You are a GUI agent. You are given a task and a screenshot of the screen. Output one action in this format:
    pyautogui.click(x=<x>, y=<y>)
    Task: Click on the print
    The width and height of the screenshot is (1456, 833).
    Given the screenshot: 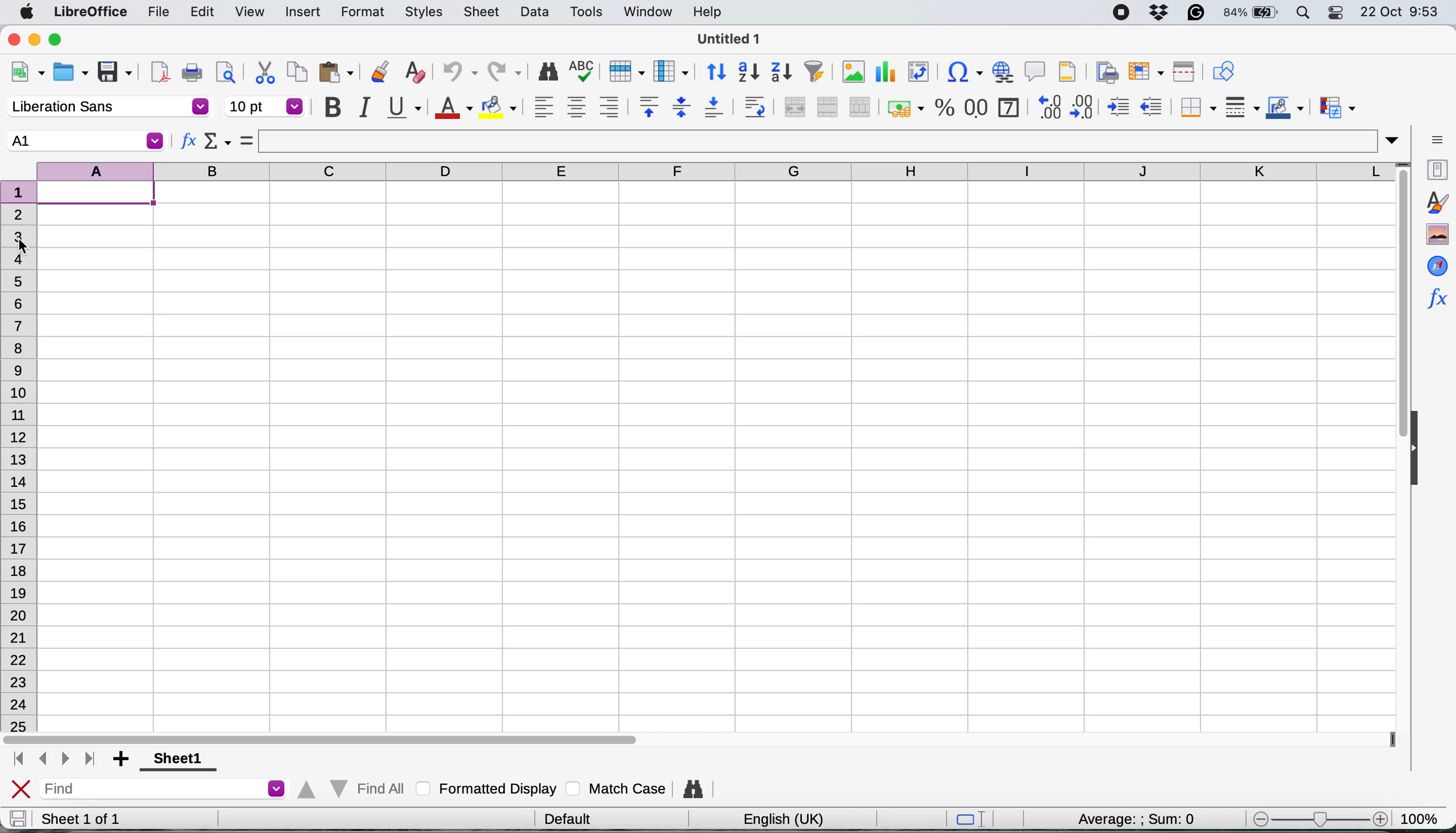 What is the action you would take?
    pyautogui.click(x=192, y=73)
    